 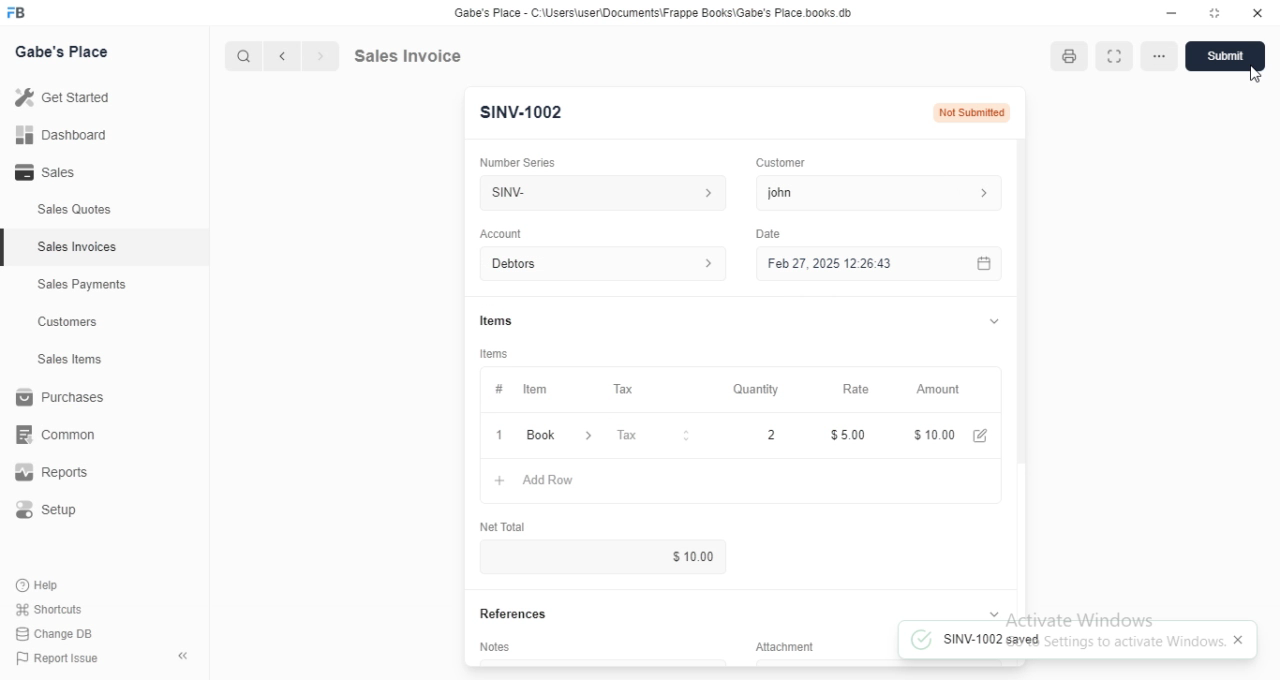 What do you see at coordinates (496, 352) in the screenshot?
I see `Items` at bounding box center [496, 352].